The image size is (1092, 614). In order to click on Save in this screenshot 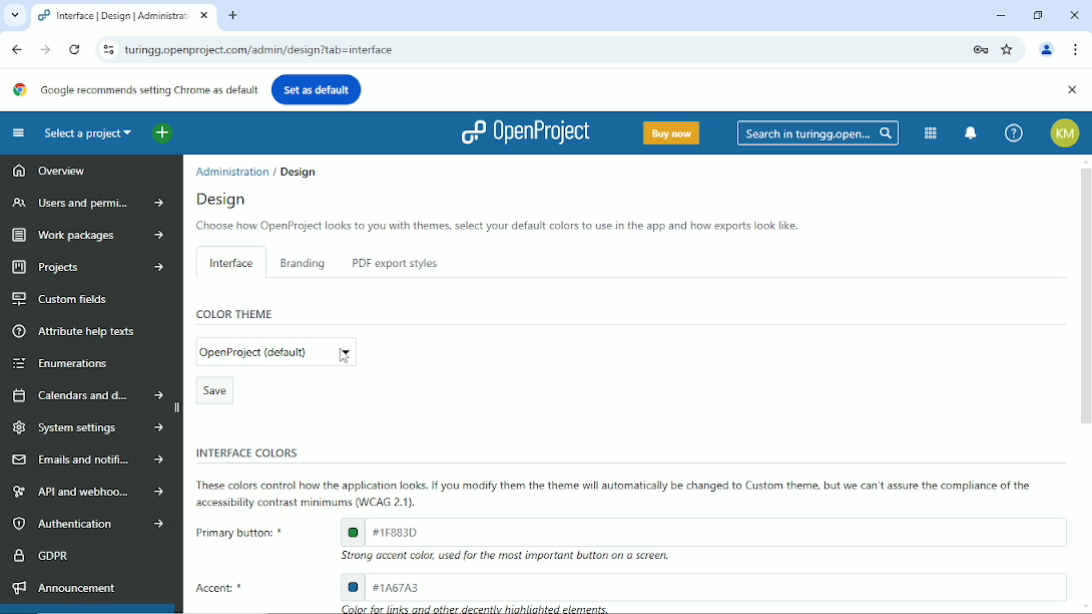, I will do `click(214, 388)`.